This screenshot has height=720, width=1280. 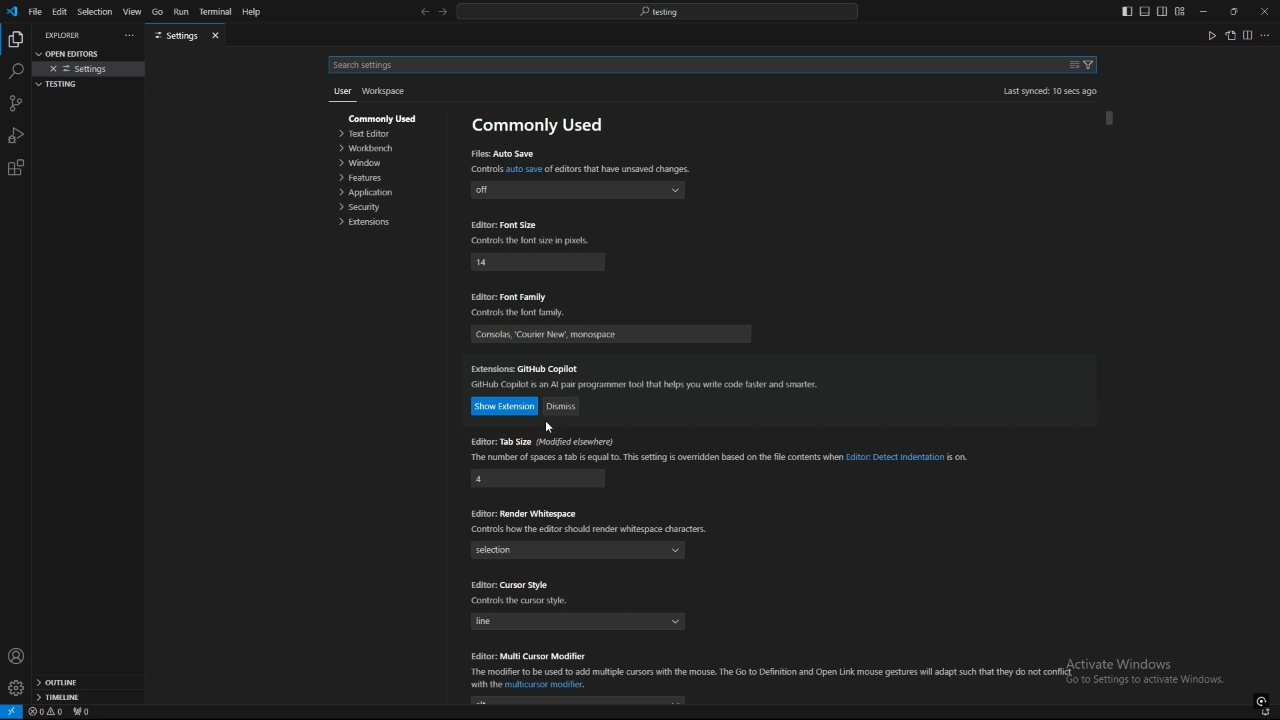 What do you see at coordinates (46, 712) in the screenshot?
I see `errors` at bounding box center [46, 712].